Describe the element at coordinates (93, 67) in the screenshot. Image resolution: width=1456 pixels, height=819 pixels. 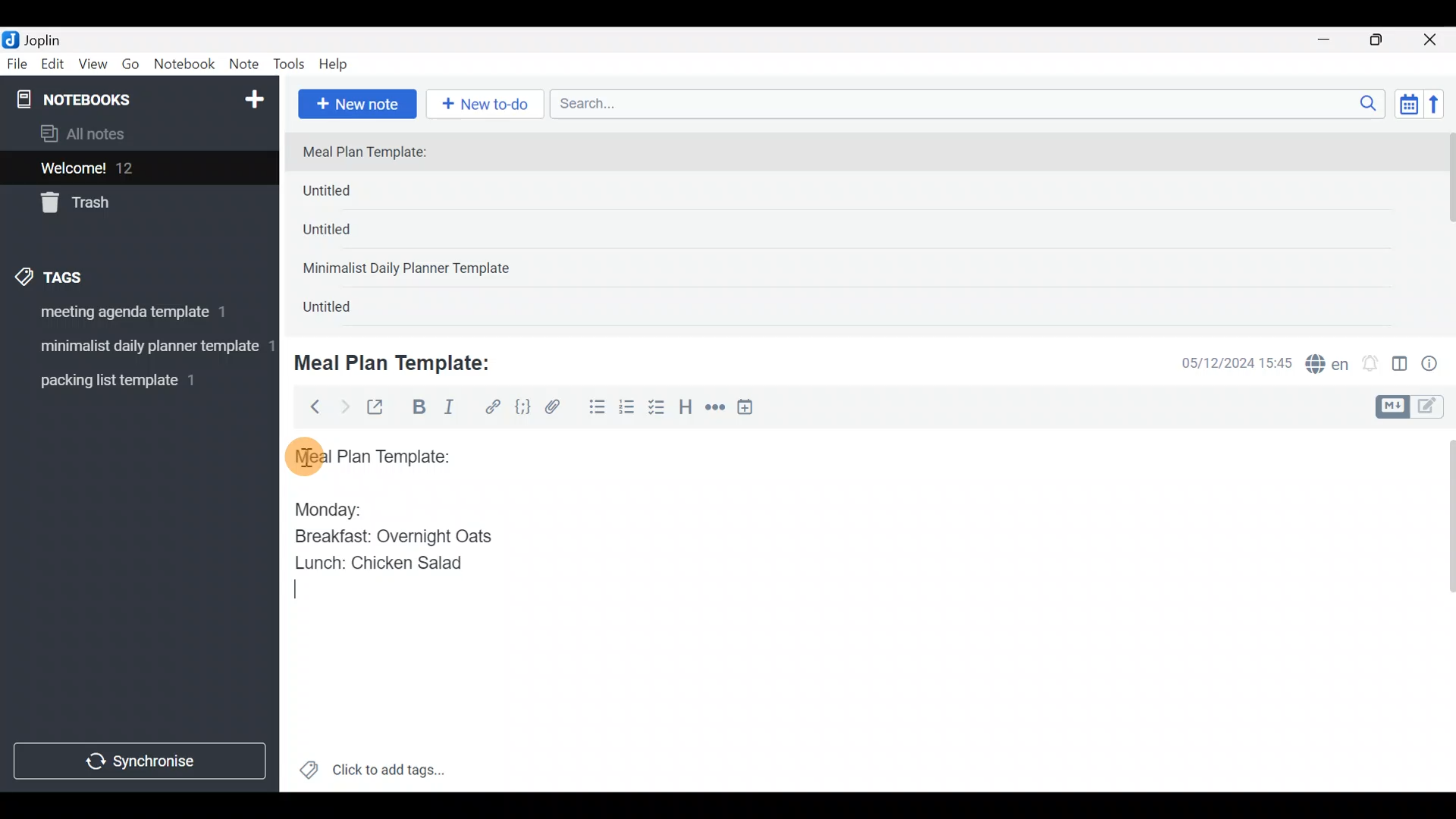
I see `View` at that location.